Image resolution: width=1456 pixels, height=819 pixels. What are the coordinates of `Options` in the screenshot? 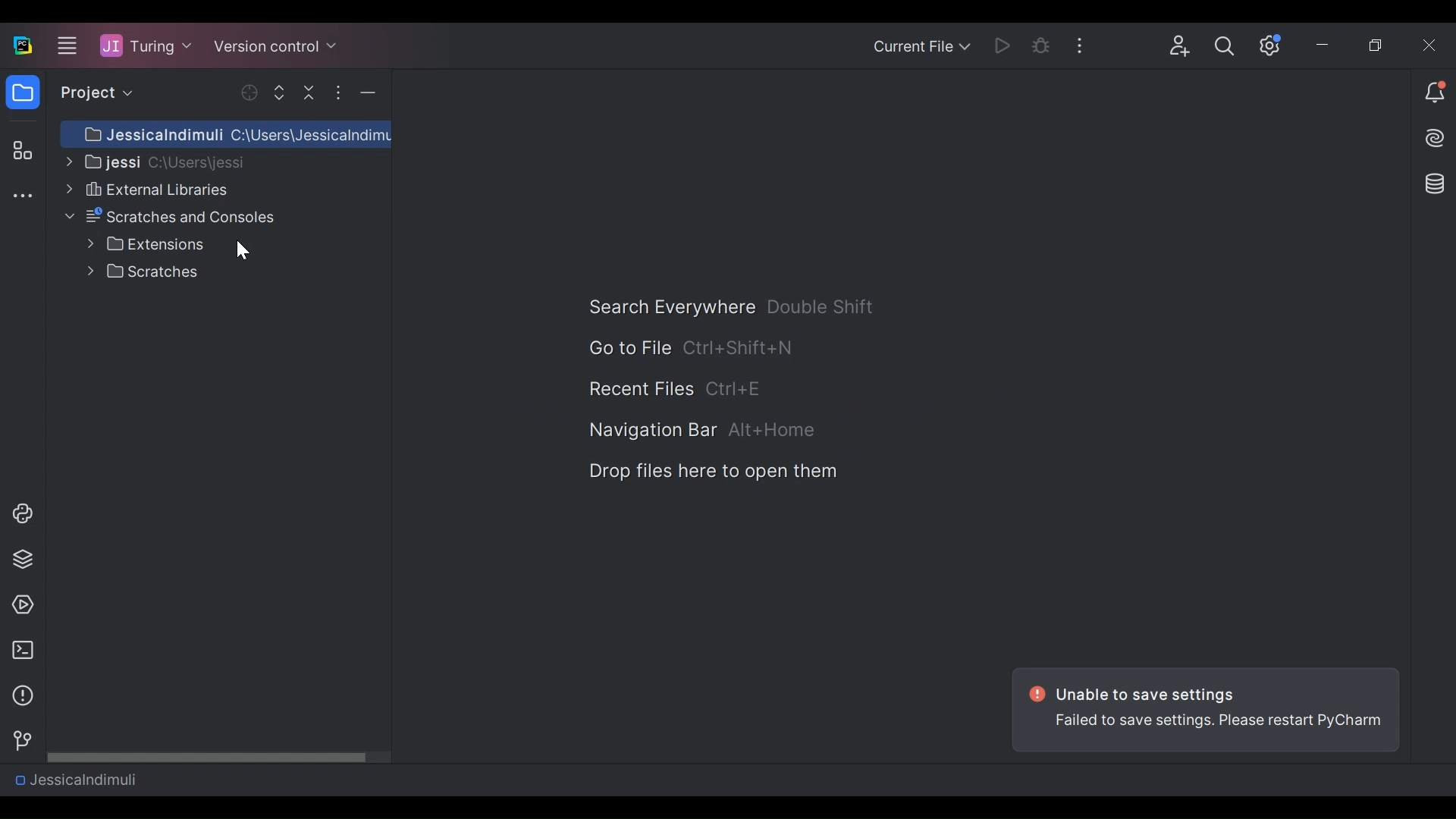 It's located at (337, 93).